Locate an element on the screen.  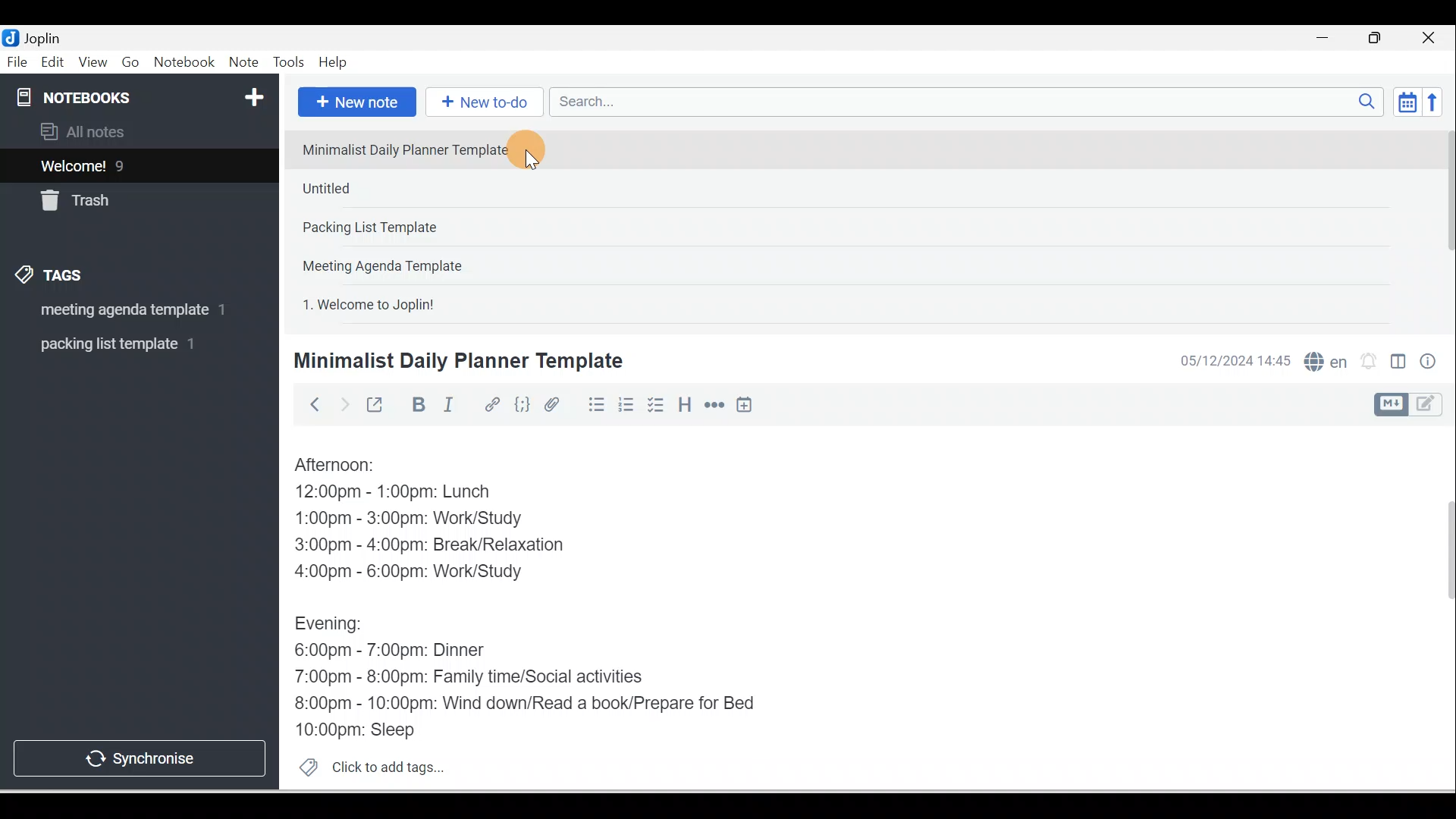
Toggle editor layout is located at coordinates (1414, 405).